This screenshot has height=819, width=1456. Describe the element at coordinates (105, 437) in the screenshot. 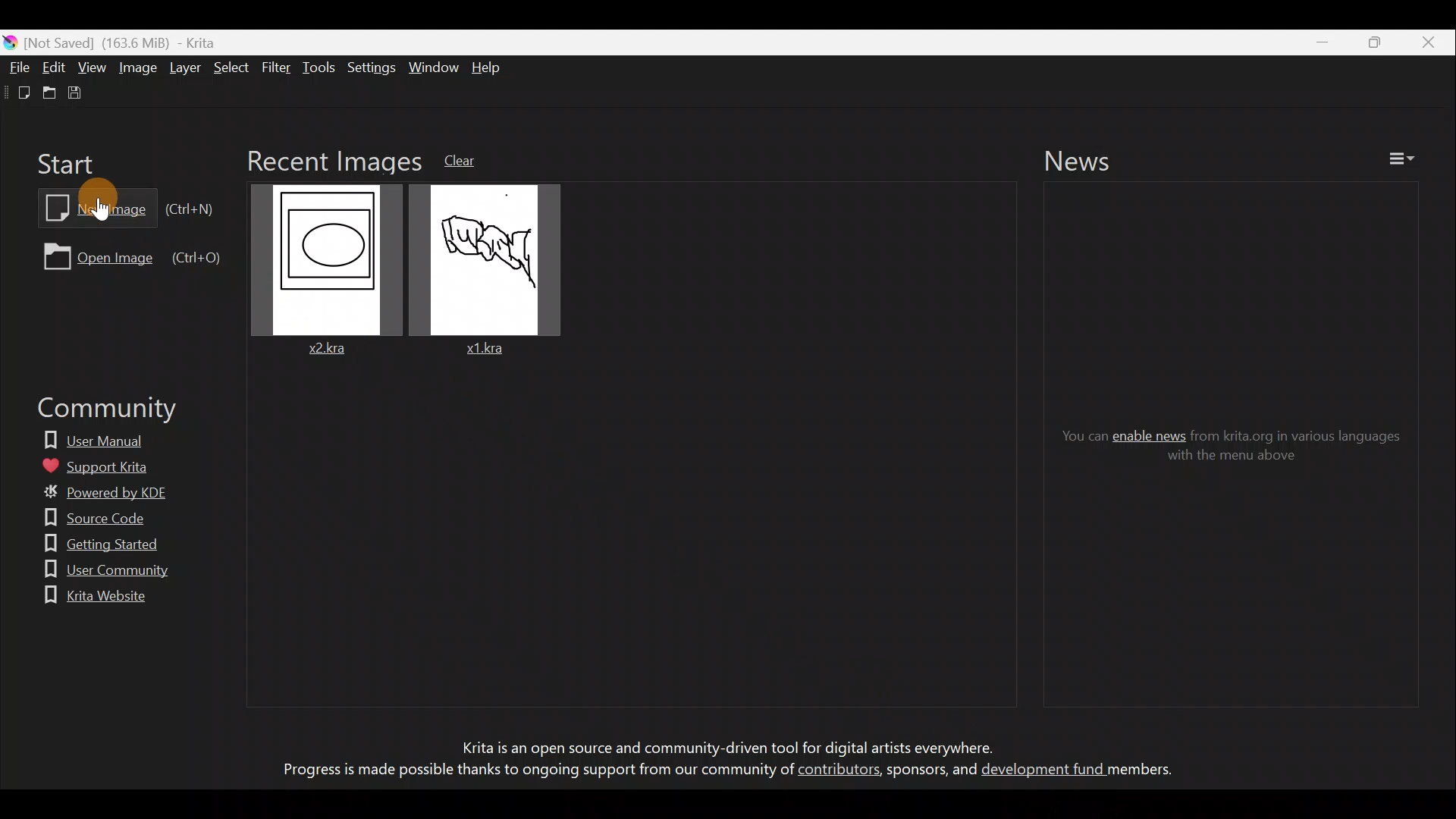

I see `User manual` at that location.